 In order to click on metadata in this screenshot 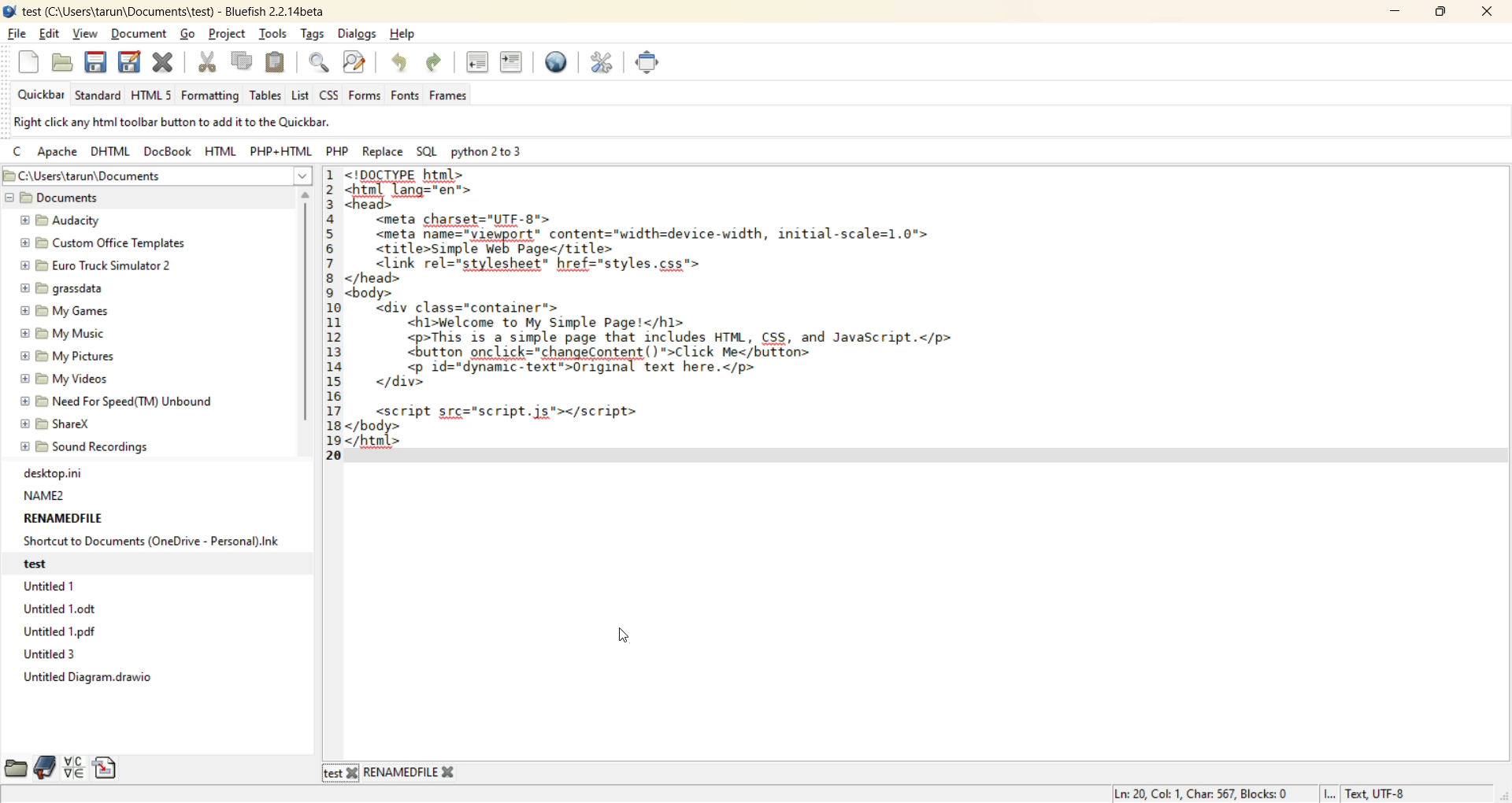, I will do `click(210, 123)`.